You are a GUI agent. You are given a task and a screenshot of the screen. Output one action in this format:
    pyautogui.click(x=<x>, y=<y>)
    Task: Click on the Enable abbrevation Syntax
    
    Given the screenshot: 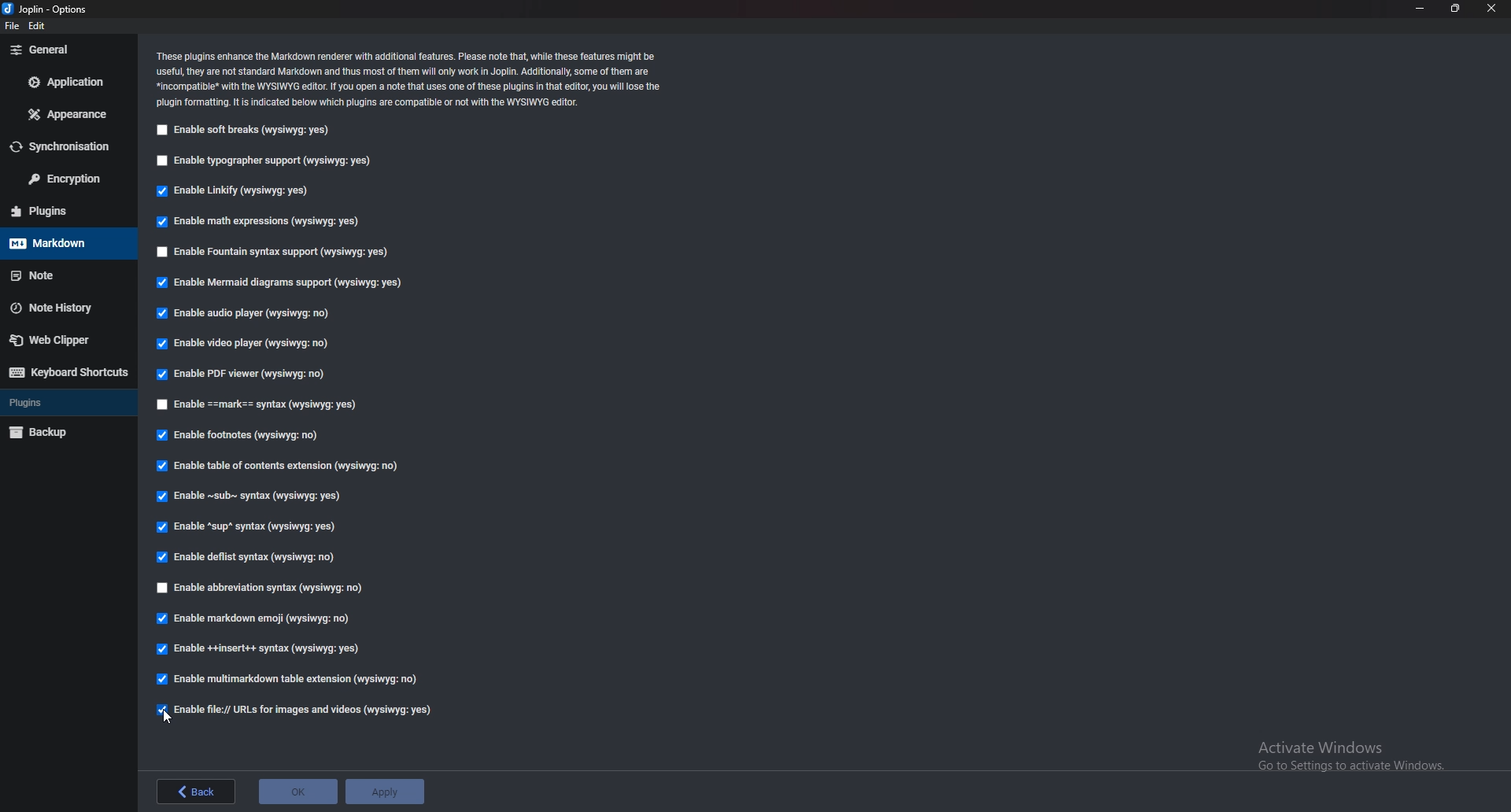 What is the action you would take?
    pyautogui.click(x=271, y=589)
    